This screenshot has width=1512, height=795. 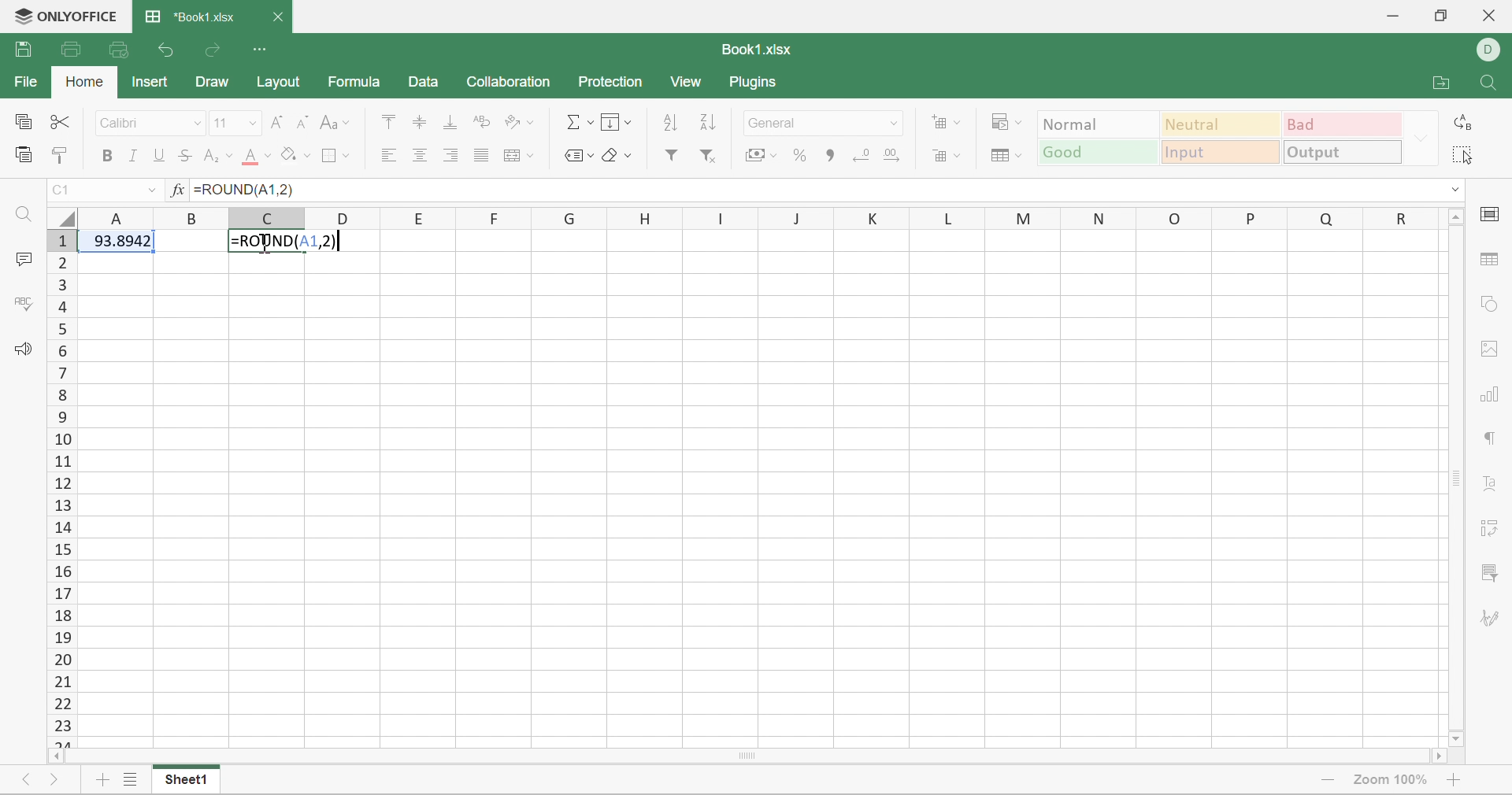 What do you see at coordinates (221, 123) in the screenshot?
I see `Font size` at bounding box center [221, 123].